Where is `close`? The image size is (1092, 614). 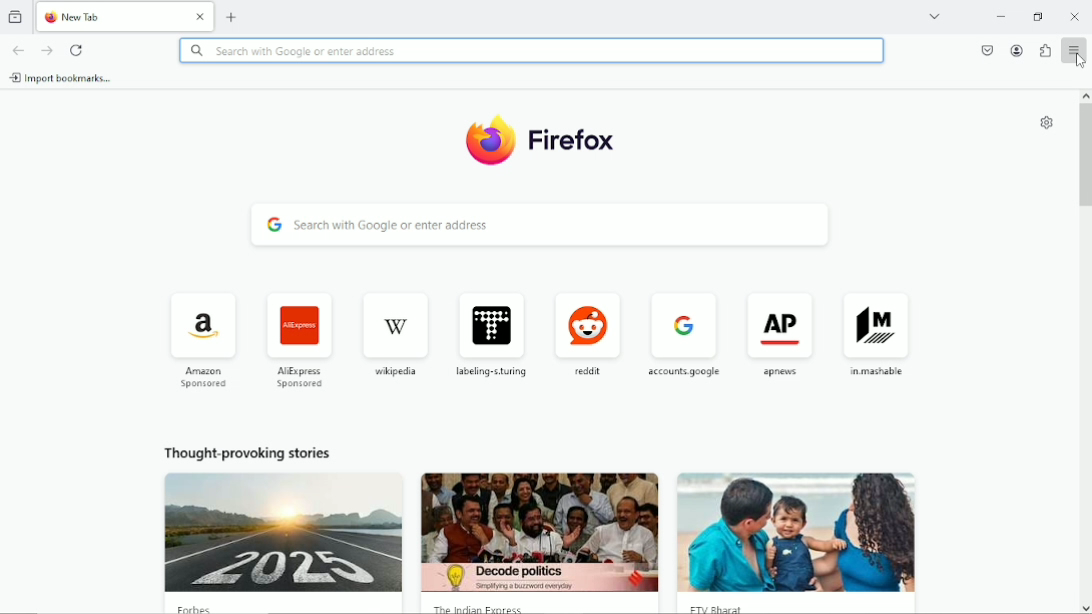
close is located at coordinates (201, 15).